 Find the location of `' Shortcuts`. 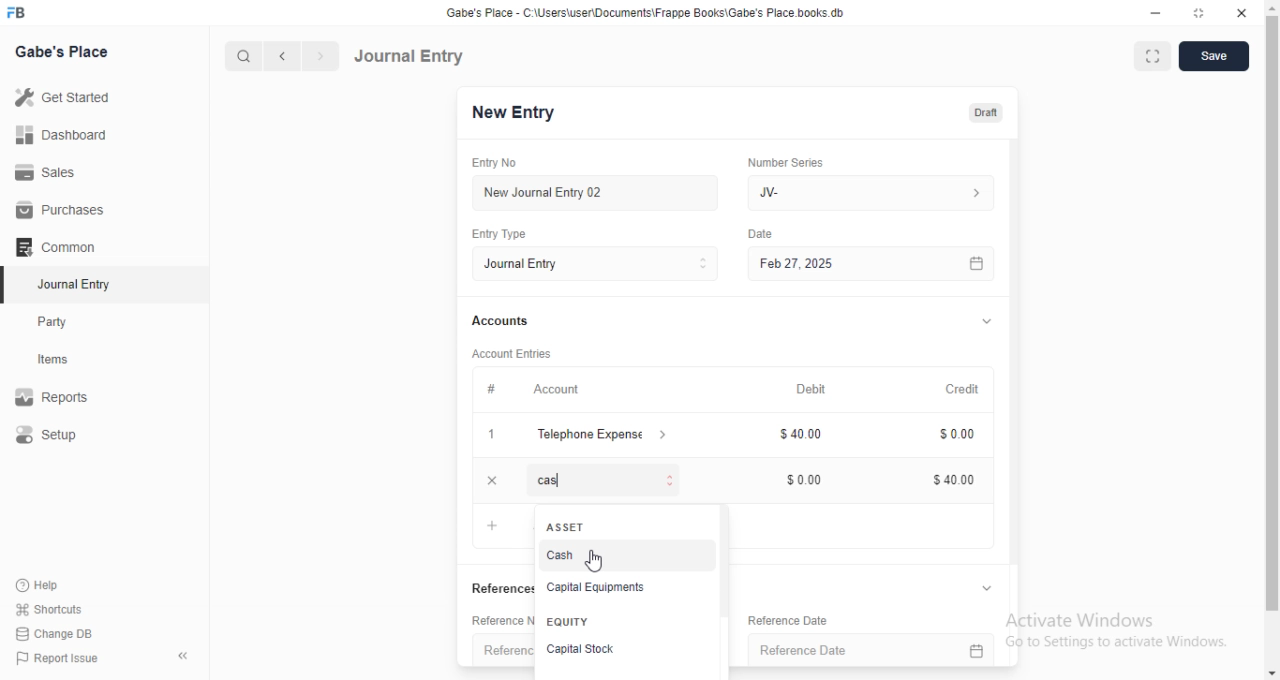

' Shortcuts is located at coordinates (50, 608).